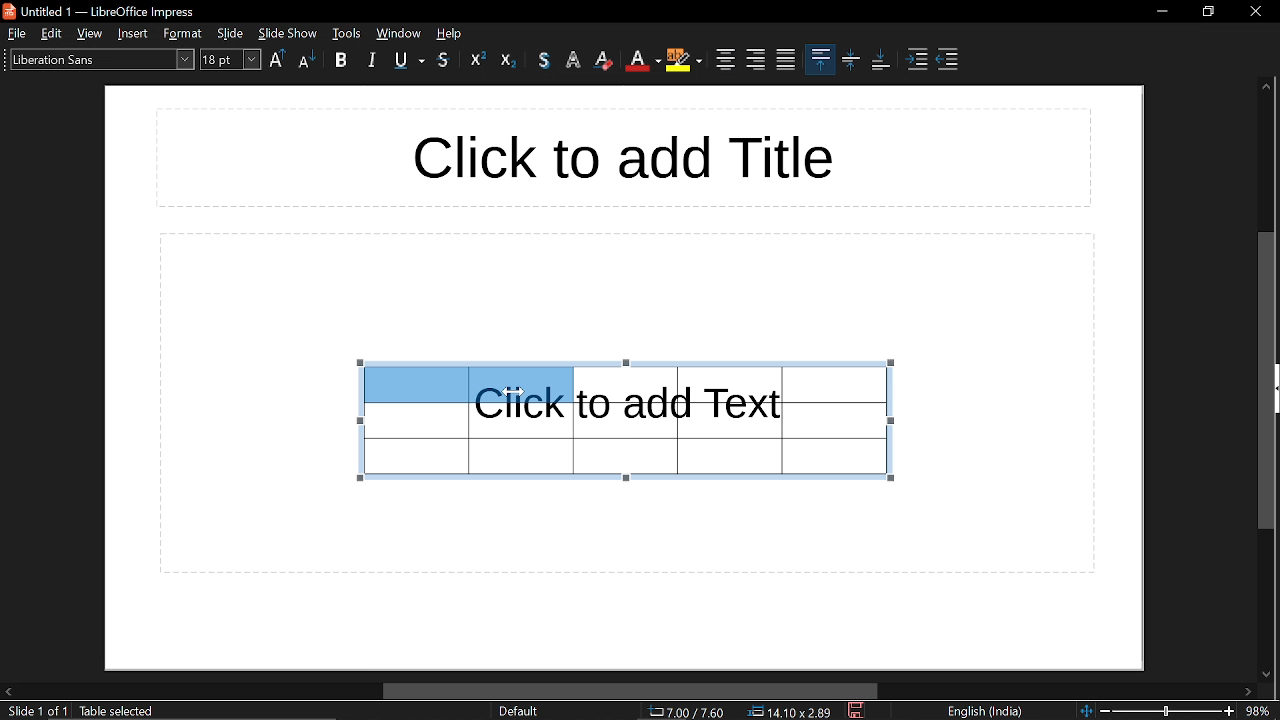 This screenshot has height=720, width=1280. Describe the element at coordinates (467, 447) in the screenshot. I see `Table` at that location.